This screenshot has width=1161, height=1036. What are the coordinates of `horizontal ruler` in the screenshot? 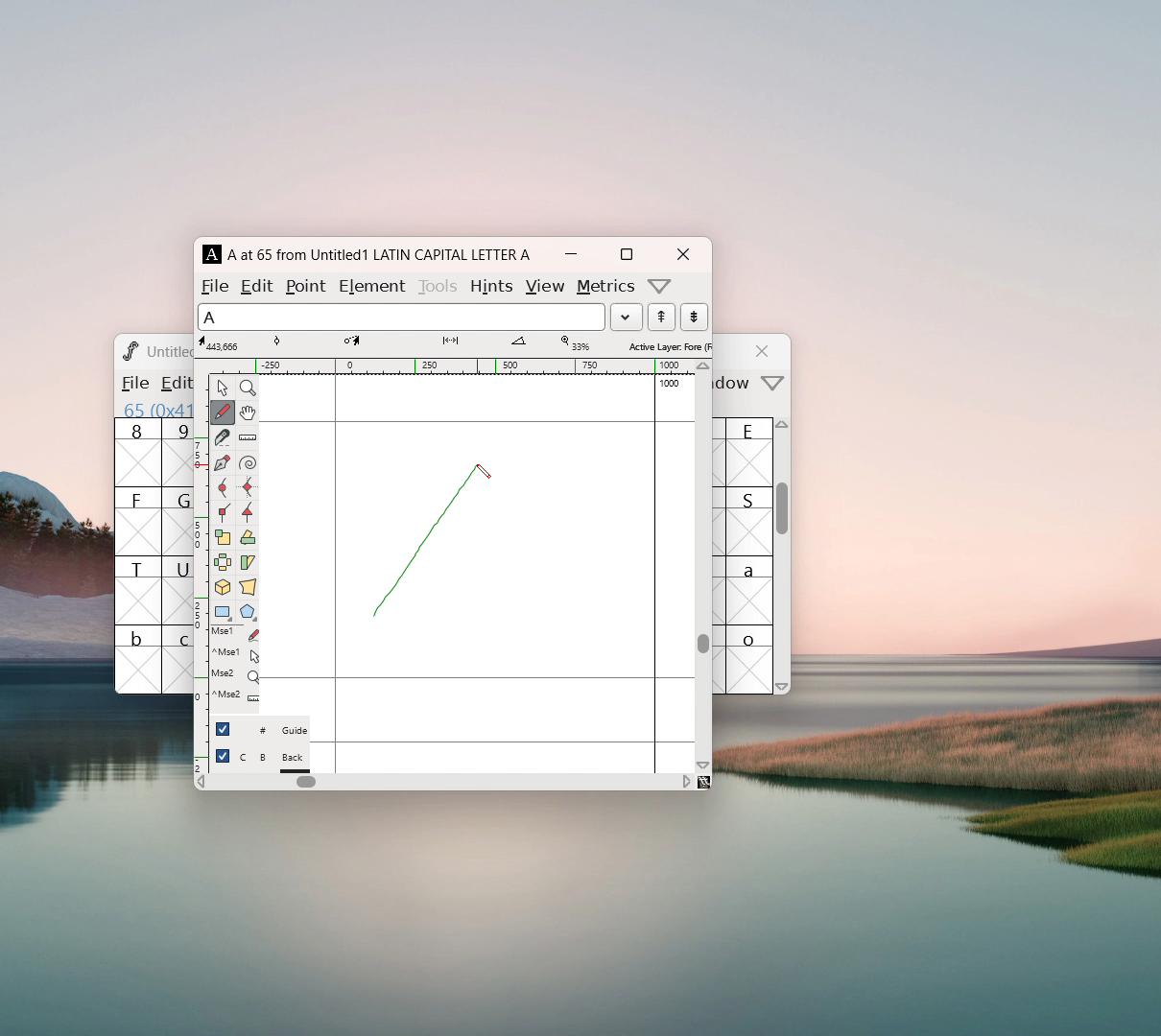 It's located at (452, 366).